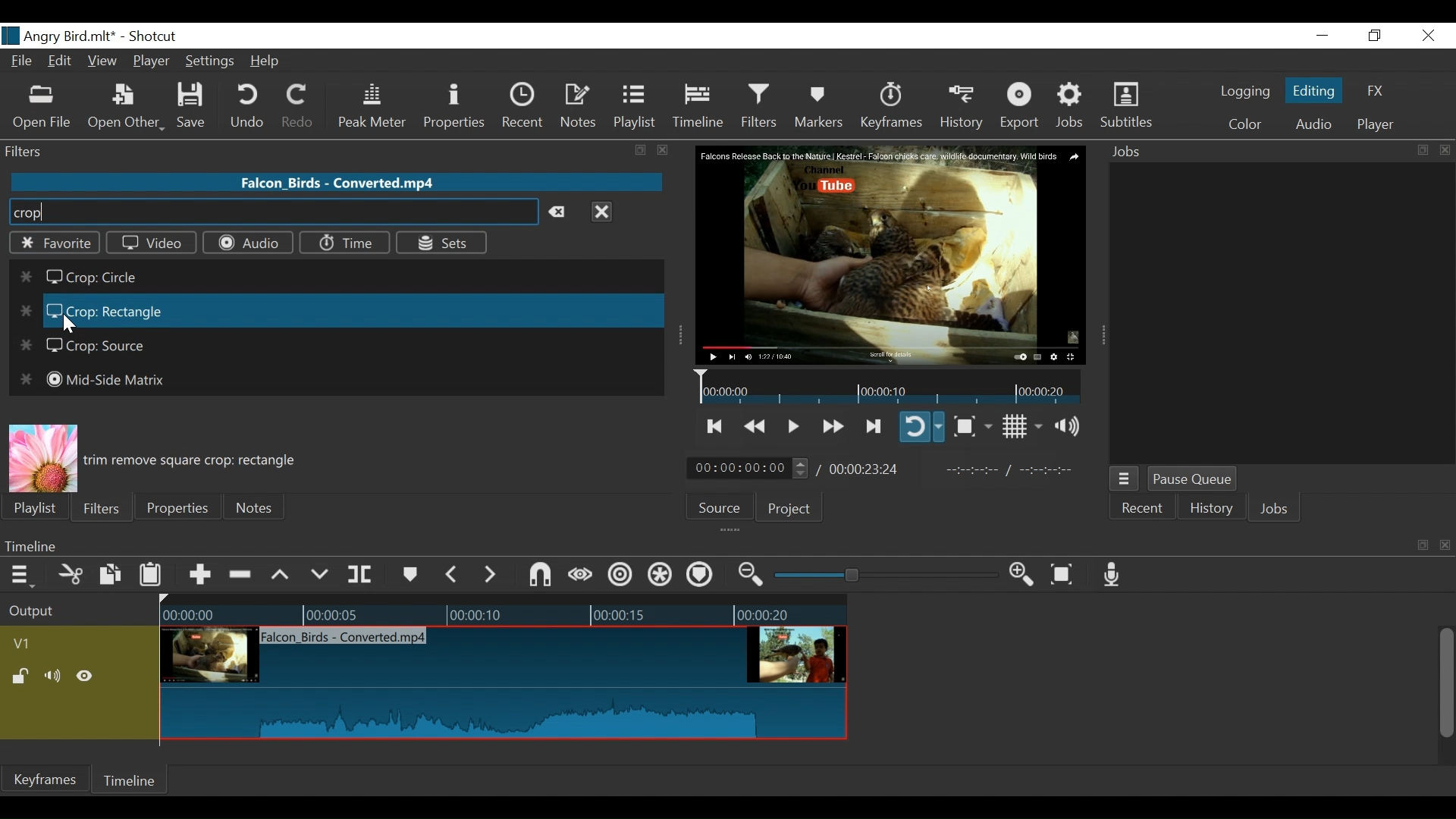  I want to click on Append, so click(199, 577).